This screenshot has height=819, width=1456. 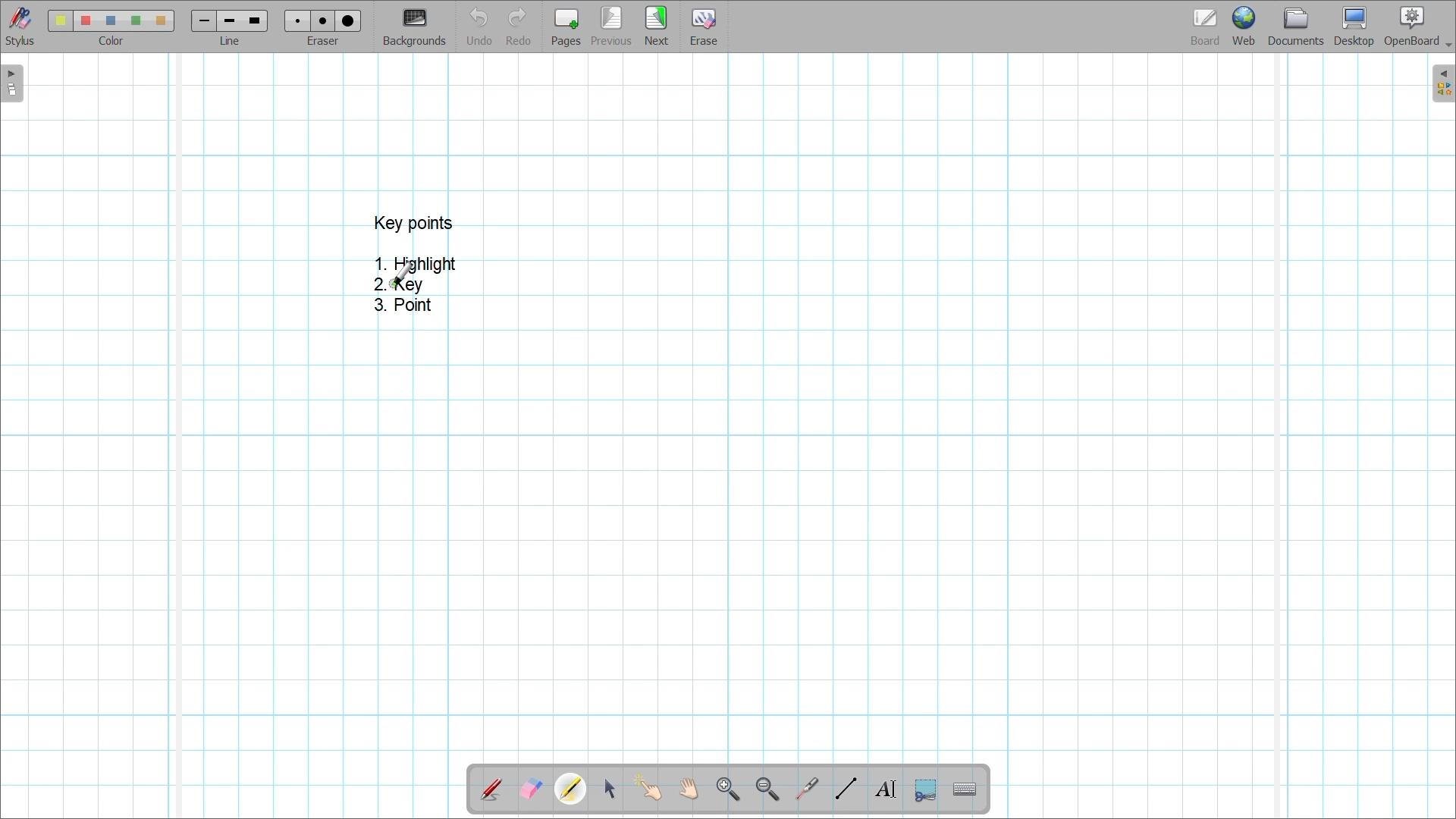 What do you see at coordinates (202, 20) in the screenshot?
I see `Line 1` at bounding box center [202, 20].